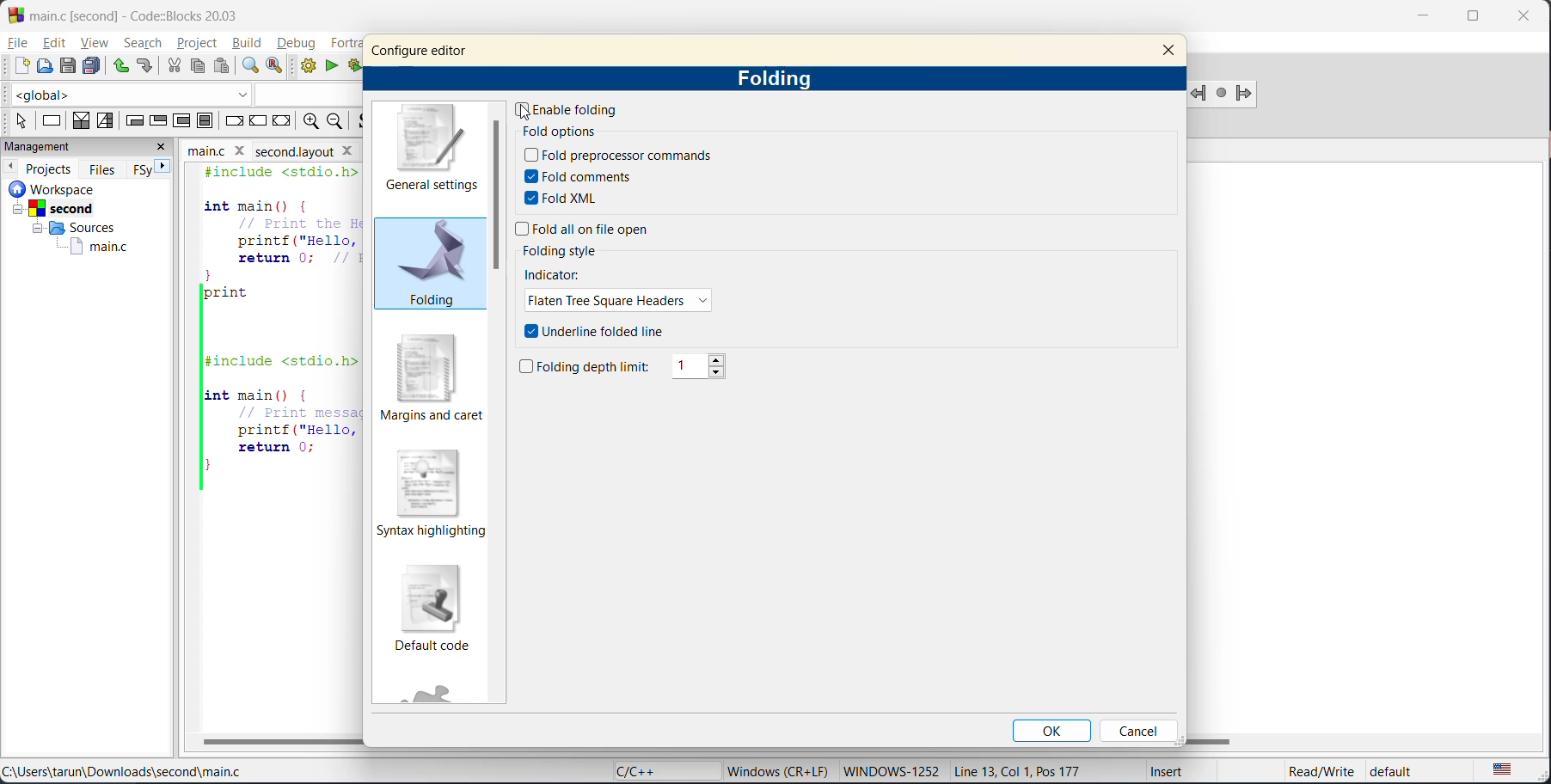 The width and height of the screenshot is (1551, 784). What do you see at coordinates (1148, 732) in the screenshot?
I see `cancel` at bounding box center [1148, 732].